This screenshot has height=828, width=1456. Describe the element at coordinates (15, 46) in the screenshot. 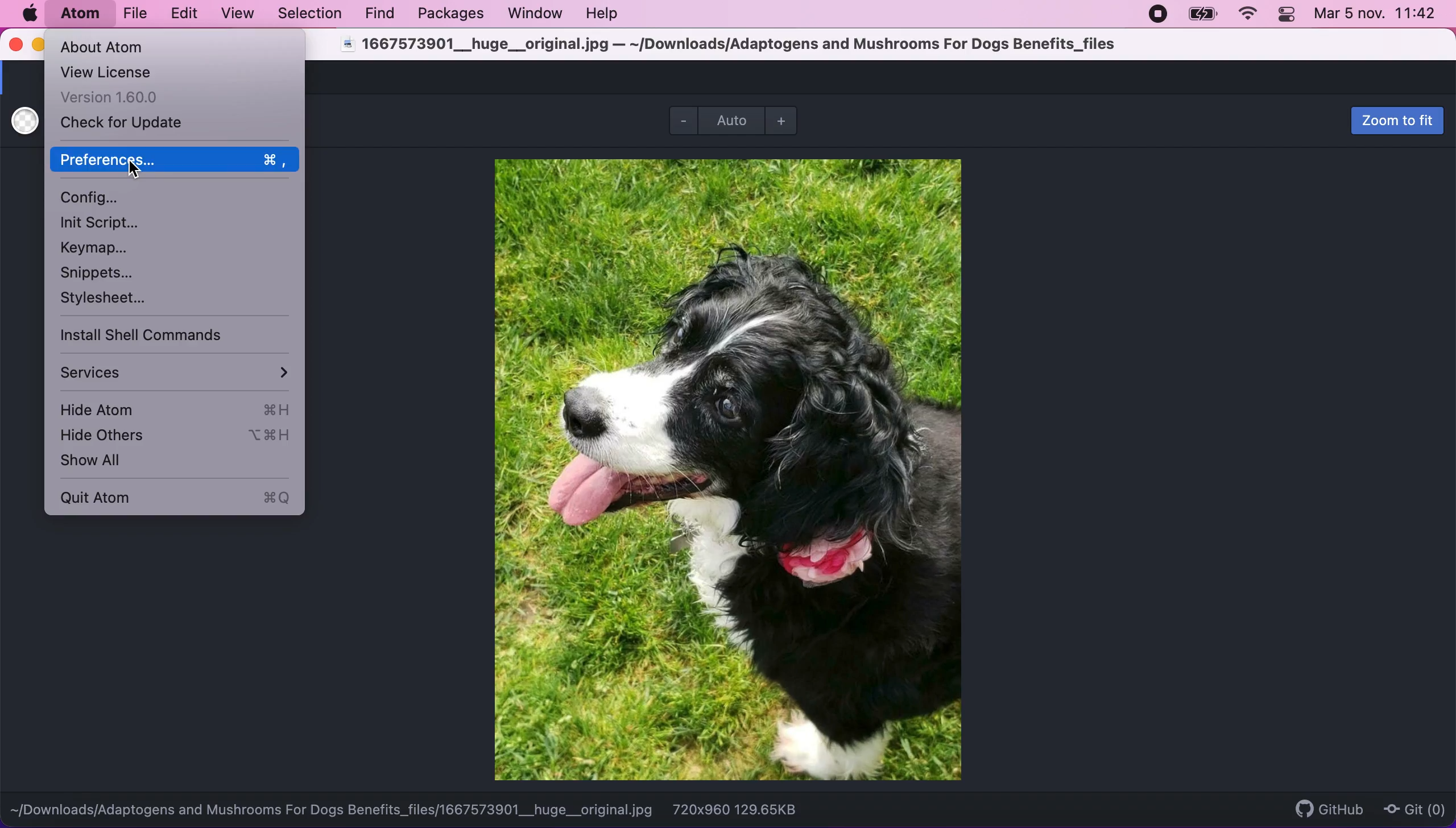

I see `close` at that location.